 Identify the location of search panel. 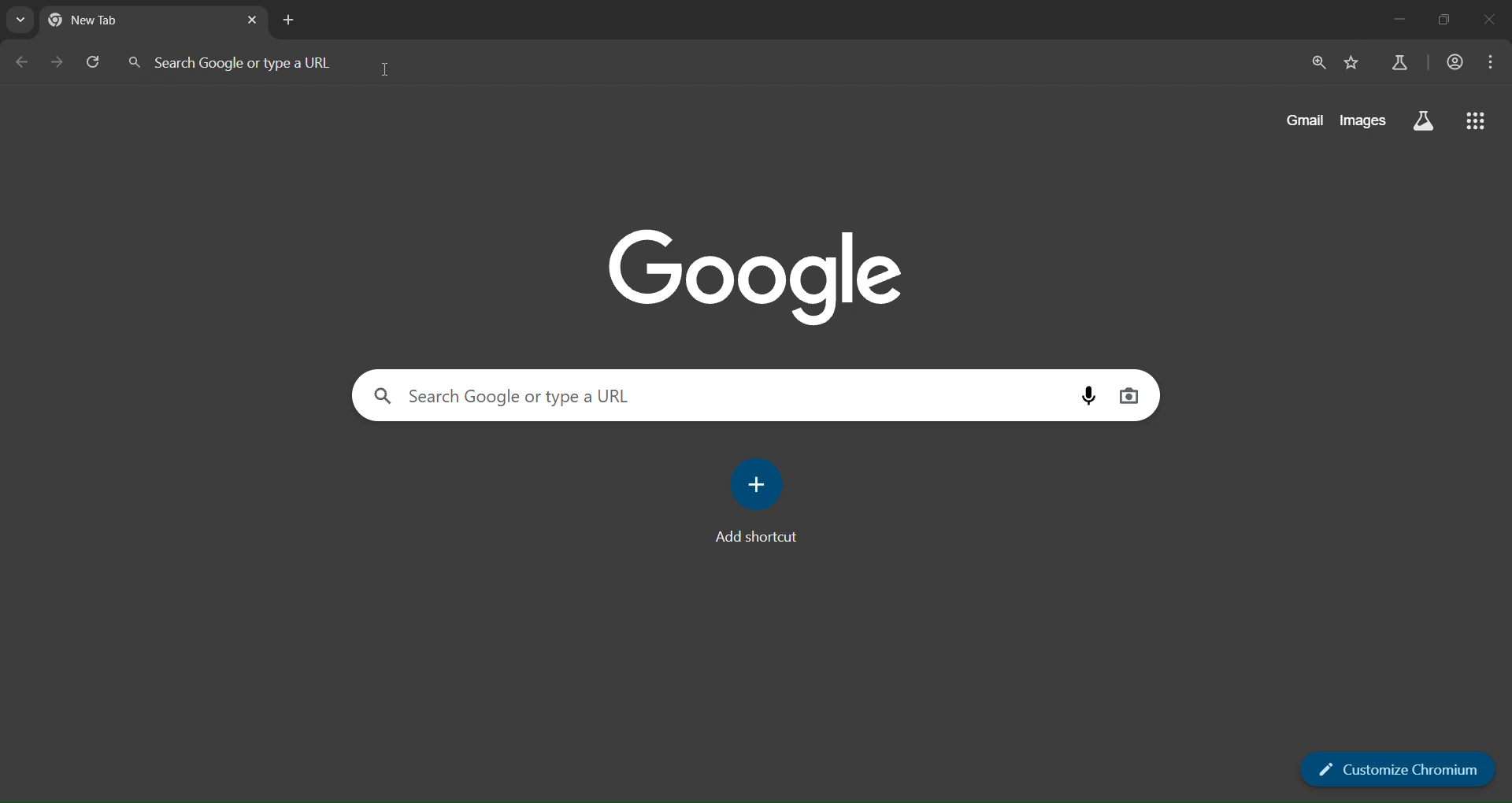
(243, 61).